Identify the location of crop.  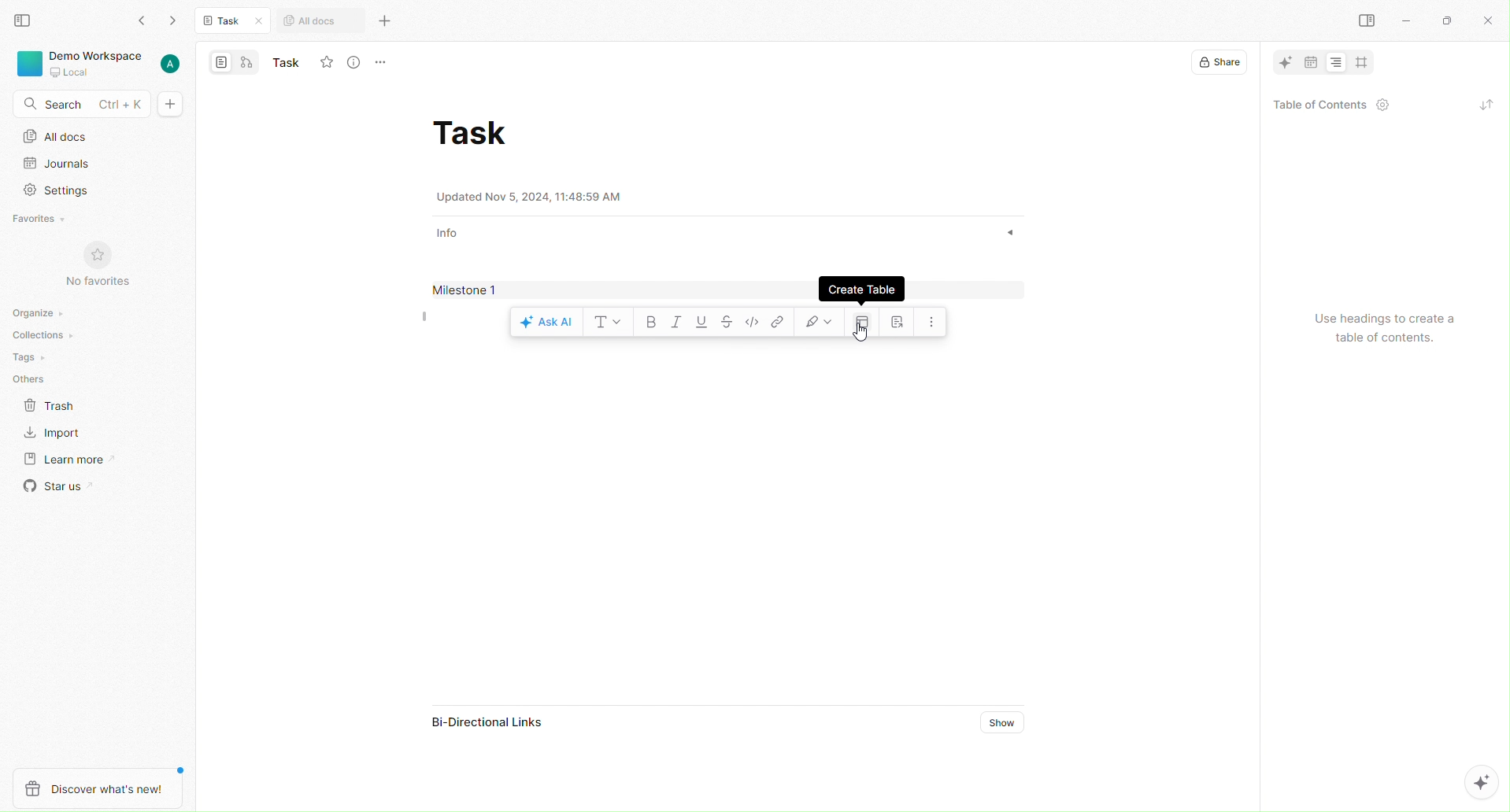
(1363, 64).